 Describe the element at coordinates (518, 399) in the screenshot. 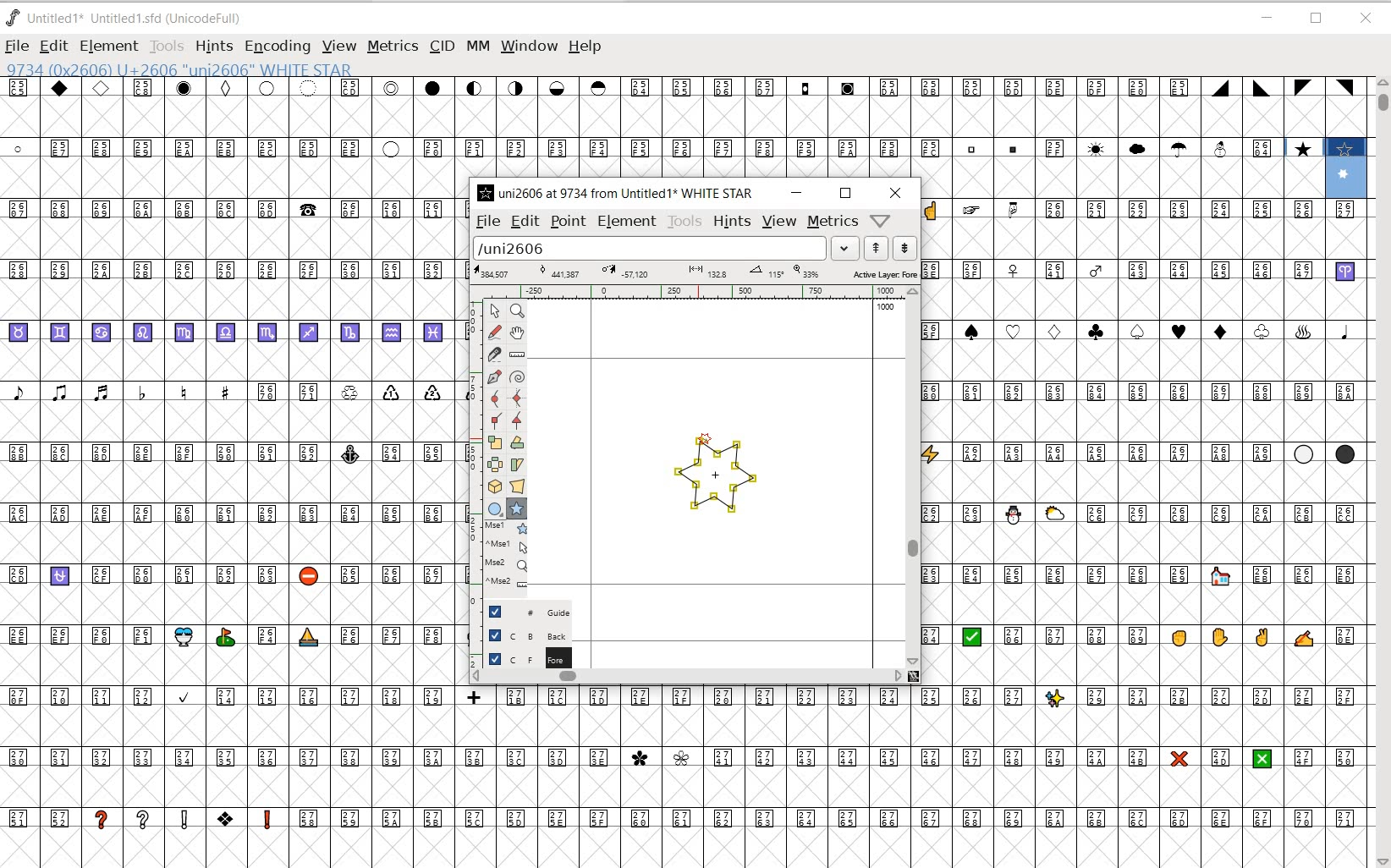

I see `ADD CURVE POINT` at that location.